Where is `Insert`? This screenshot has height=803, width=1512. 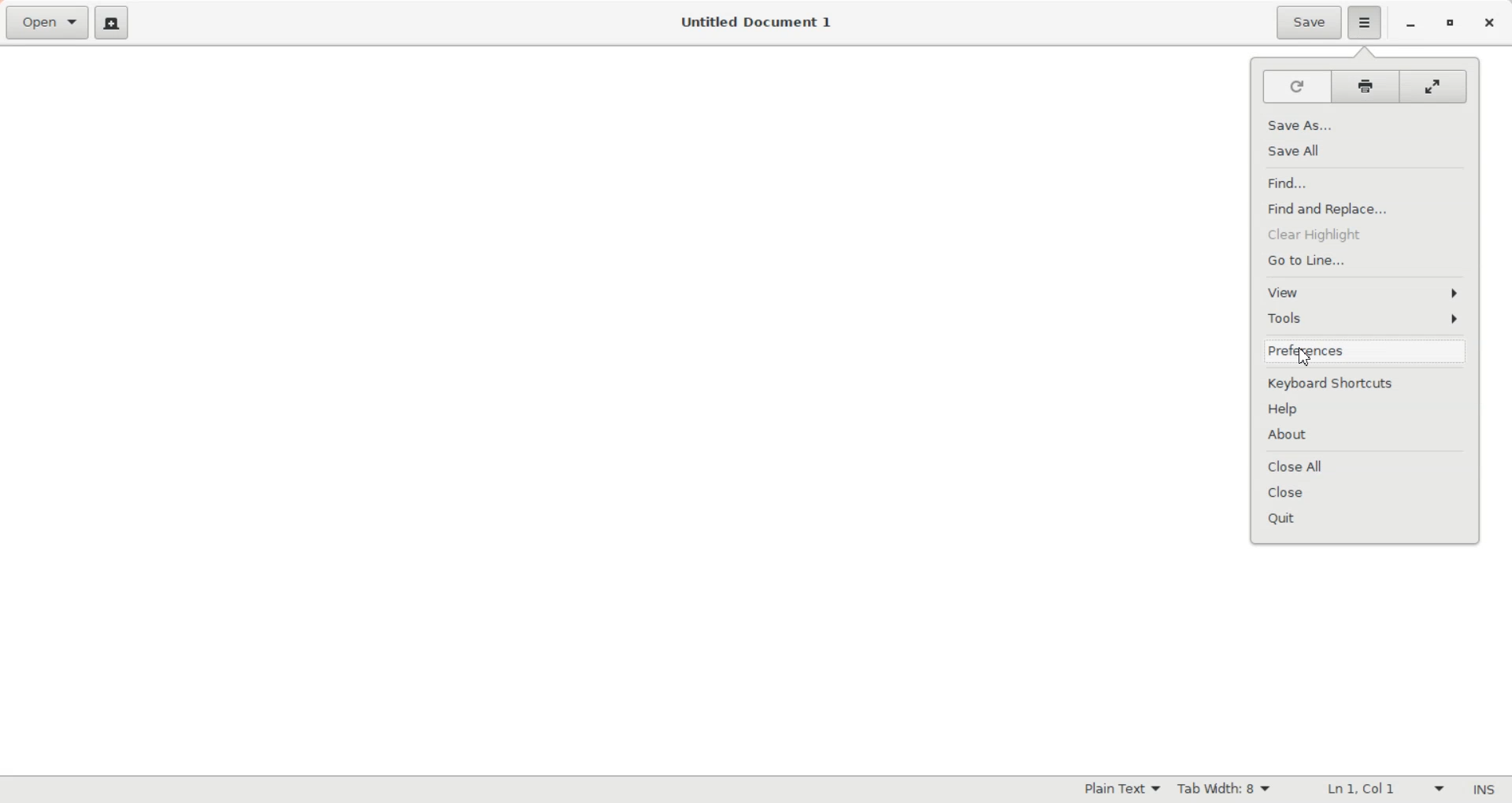
Insert is located at coordinates (1479, 790).